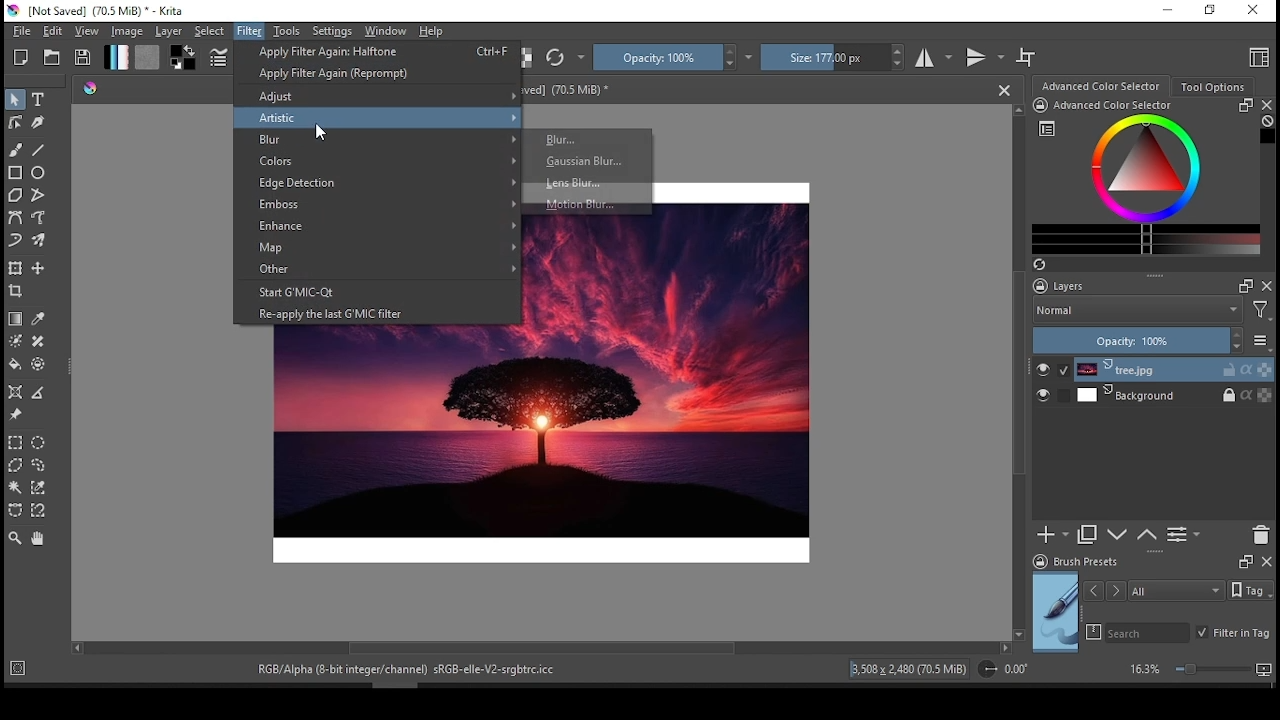 The image size is (1280, 720). Describe the element at coordinates (831, 57) in the screenshot. I see `size` at that location.